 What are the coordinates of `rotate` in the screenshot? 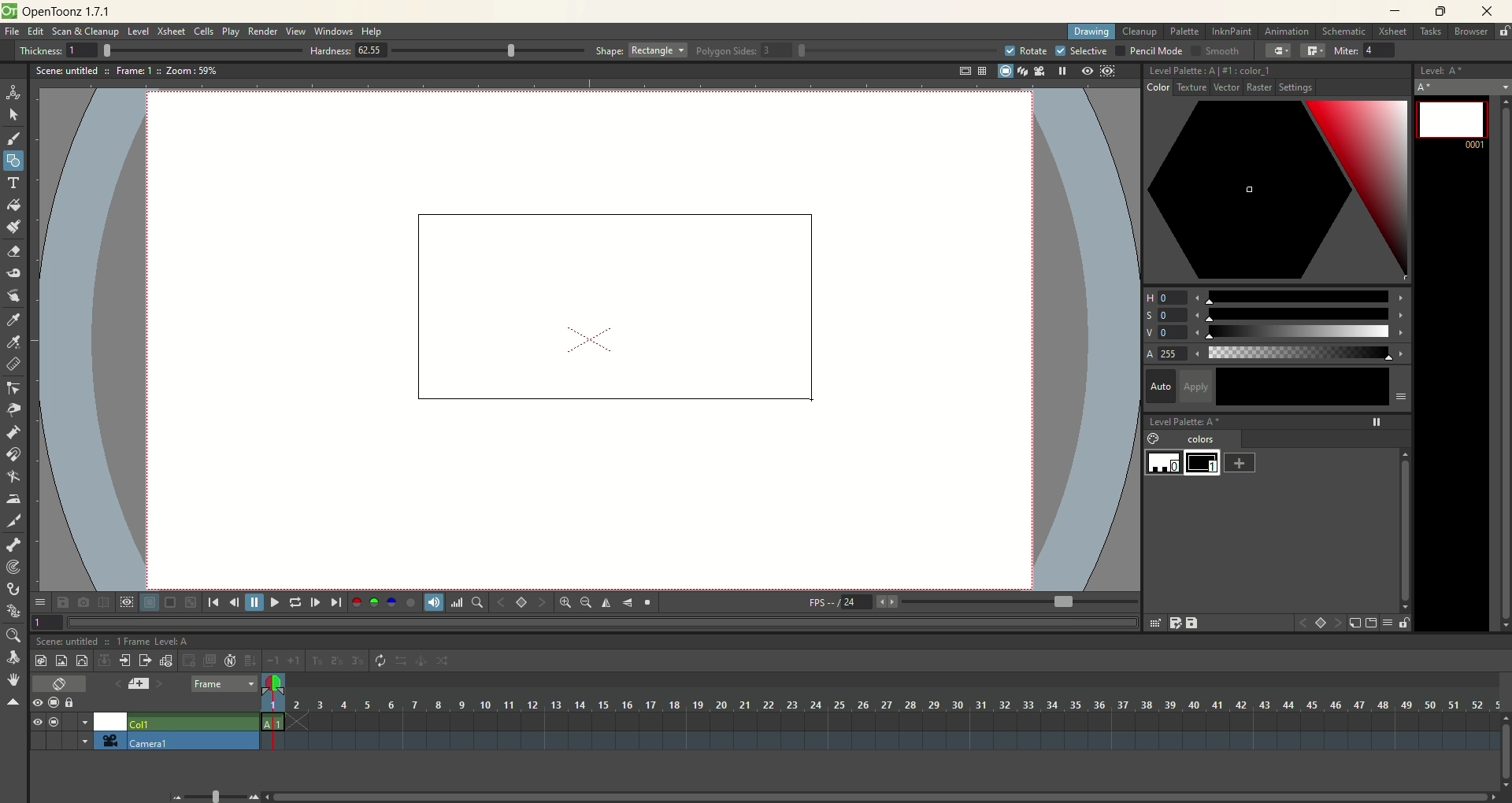 It's located at (1025, 50).